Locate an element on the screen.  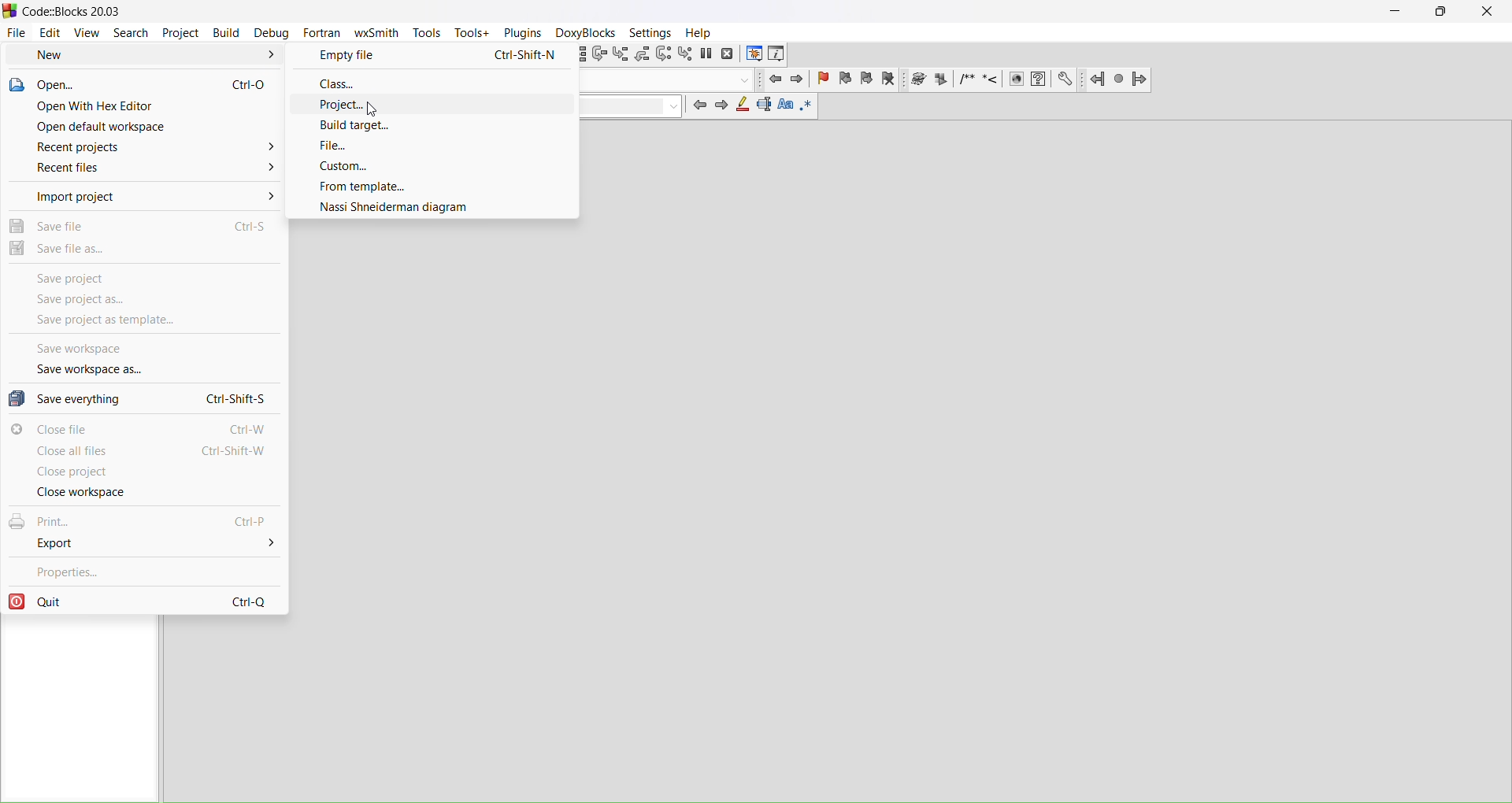
Code::Blocks 20.03 is located at coordinates (65, 12).